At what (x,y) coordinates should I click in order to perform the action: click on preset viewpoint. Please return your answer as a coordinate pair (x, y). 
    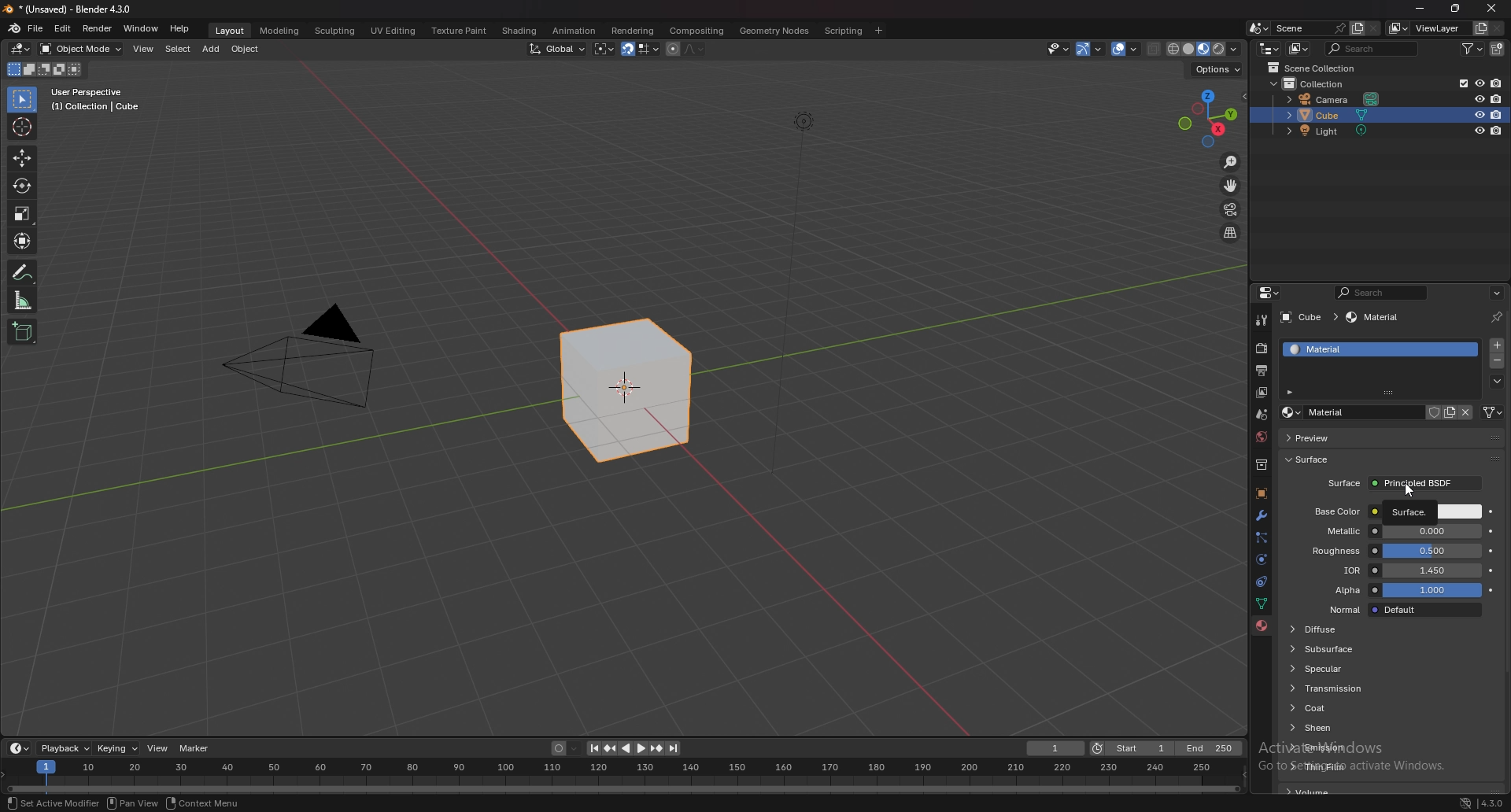
    Looking at the image, I should click on (1208, 118).